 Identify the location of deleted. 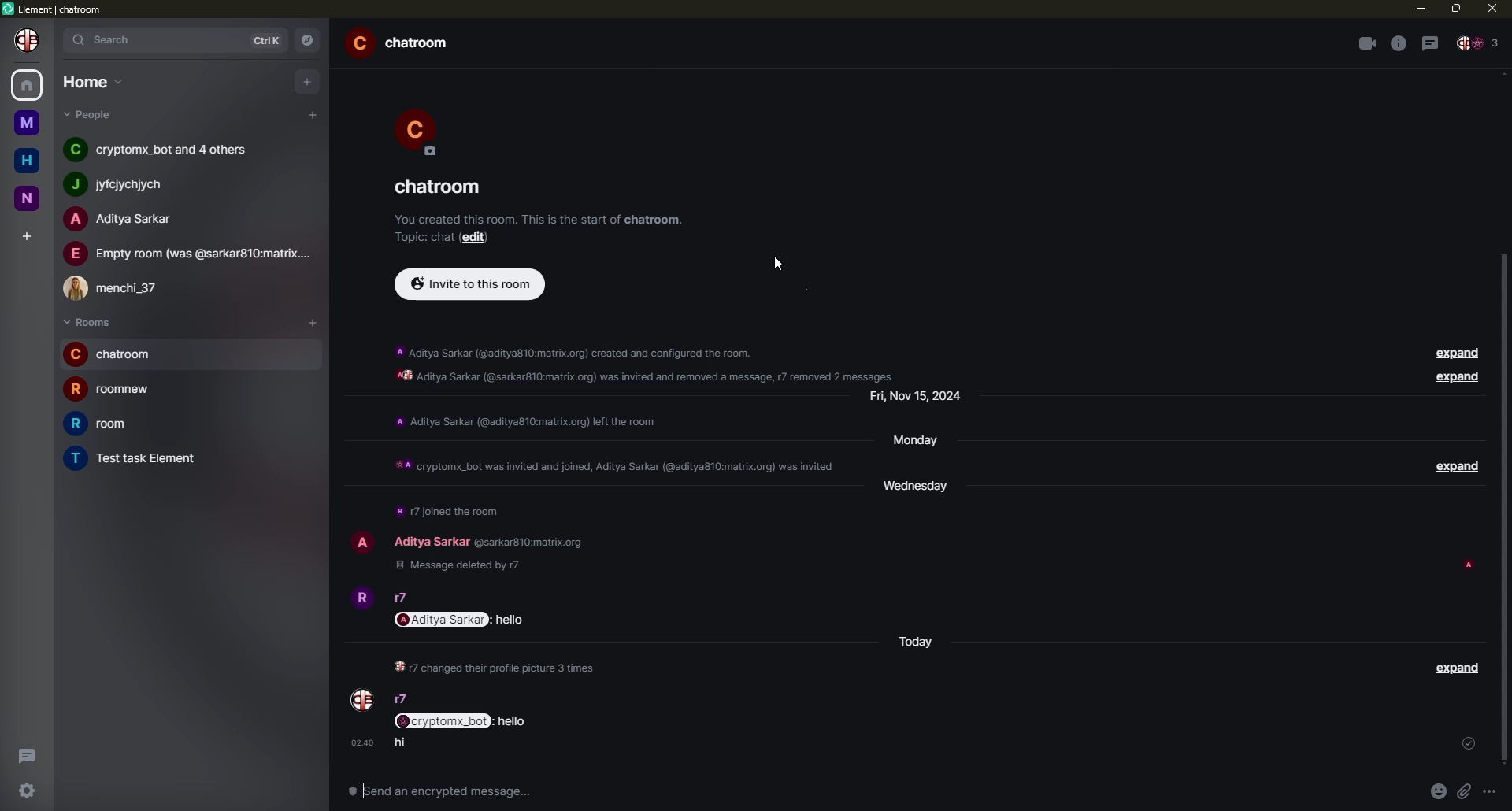
(466, 565).